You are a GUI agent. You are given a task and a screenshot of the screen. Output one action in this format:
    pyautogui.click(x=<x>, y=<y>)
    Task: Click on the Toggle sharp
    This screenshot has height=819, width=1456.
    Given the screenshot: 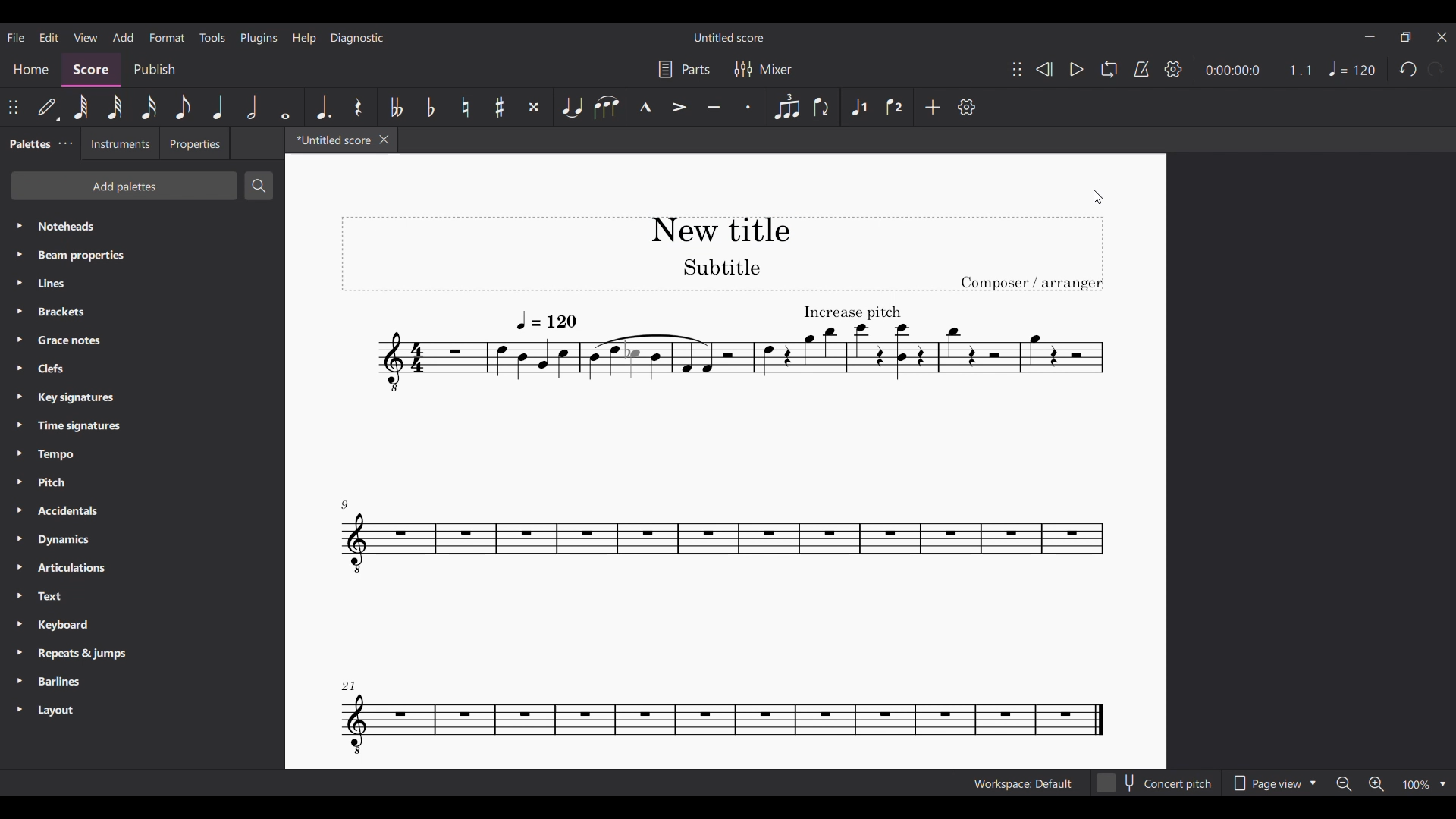 What is the action you would take?
    pyautogui.click(x=500, y=106)
    